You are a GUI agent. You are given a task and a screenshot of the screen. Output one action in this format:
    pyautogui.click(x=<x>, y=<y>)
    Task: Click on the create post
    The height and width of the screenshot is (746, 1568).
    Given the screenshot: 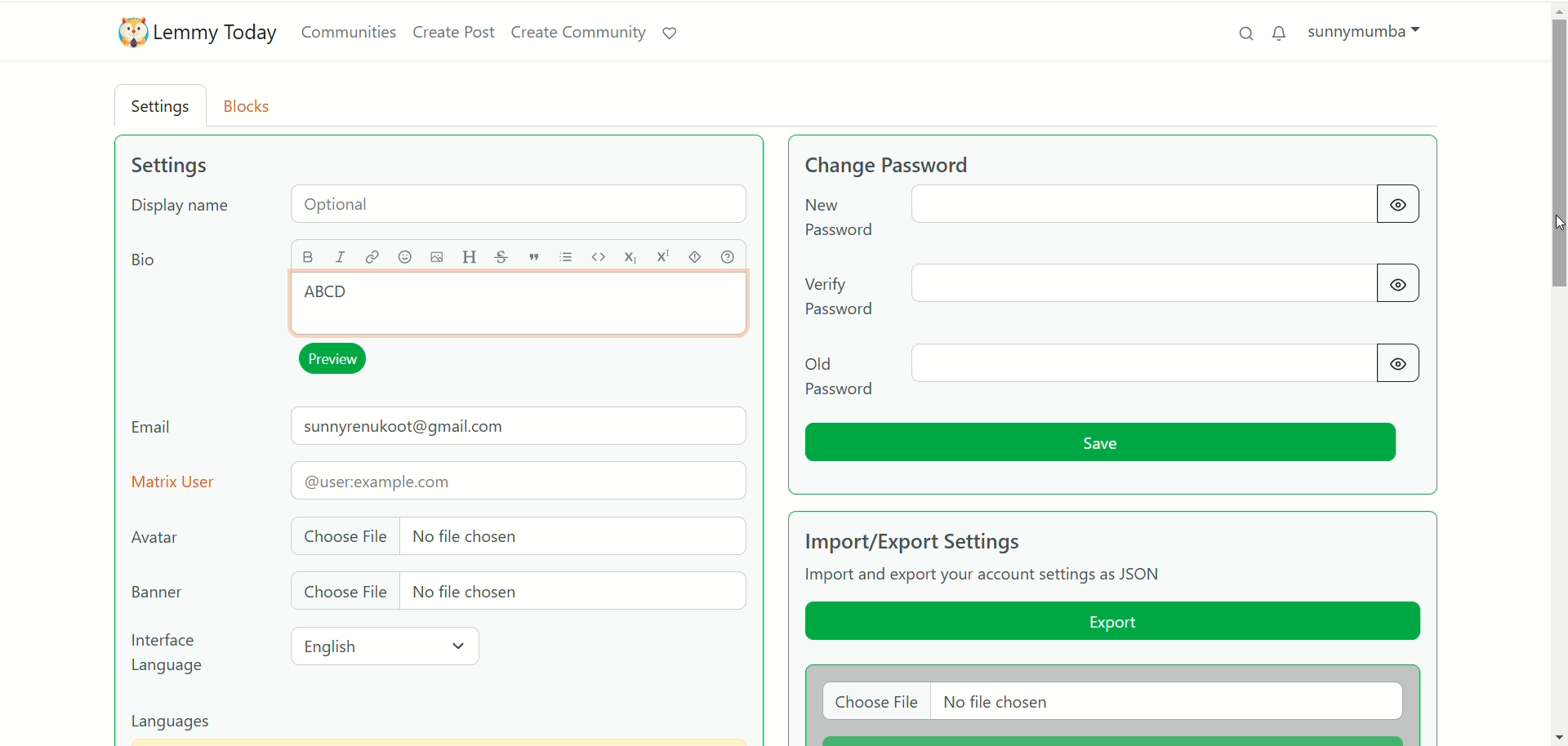 What is the action you would take?
    pyautogui.click(x=454, y=34)
    